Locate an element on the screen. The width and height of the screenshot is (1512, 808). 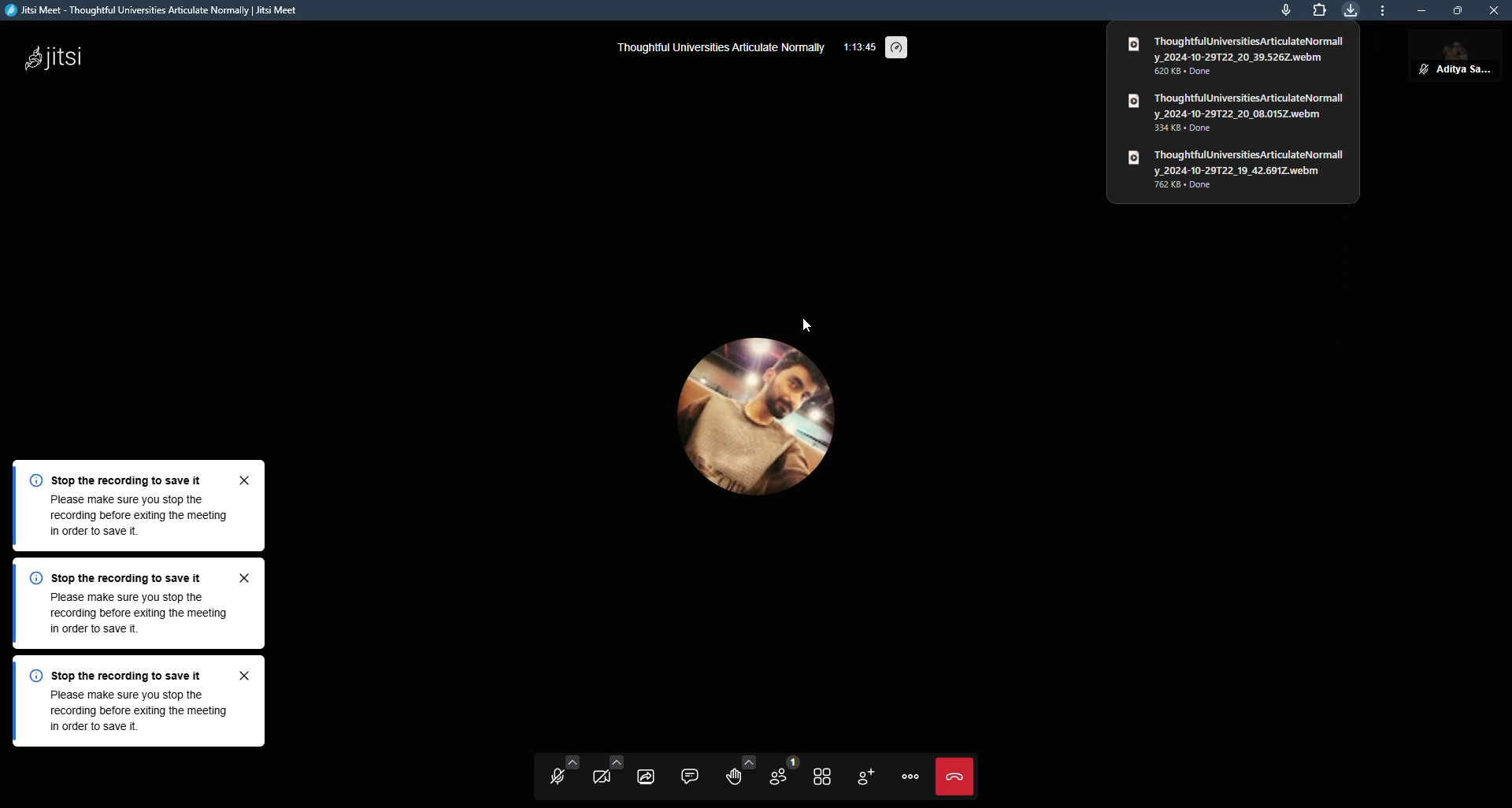
©) Stop the recording to save it is located at coordinates (124, 674).